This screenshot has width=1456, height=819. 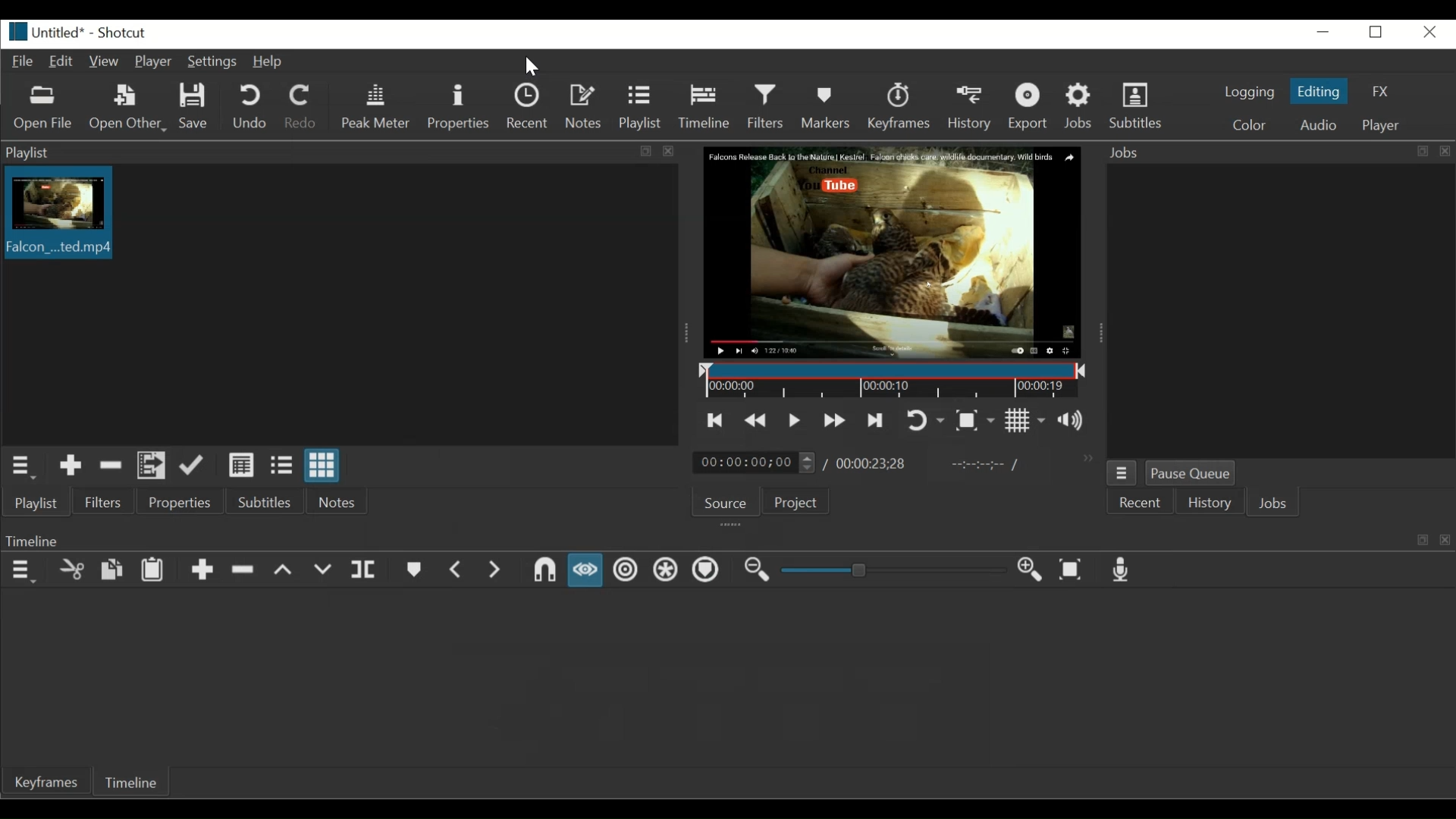 I want to click on Pause Queue, so click(x=1196, y=473).